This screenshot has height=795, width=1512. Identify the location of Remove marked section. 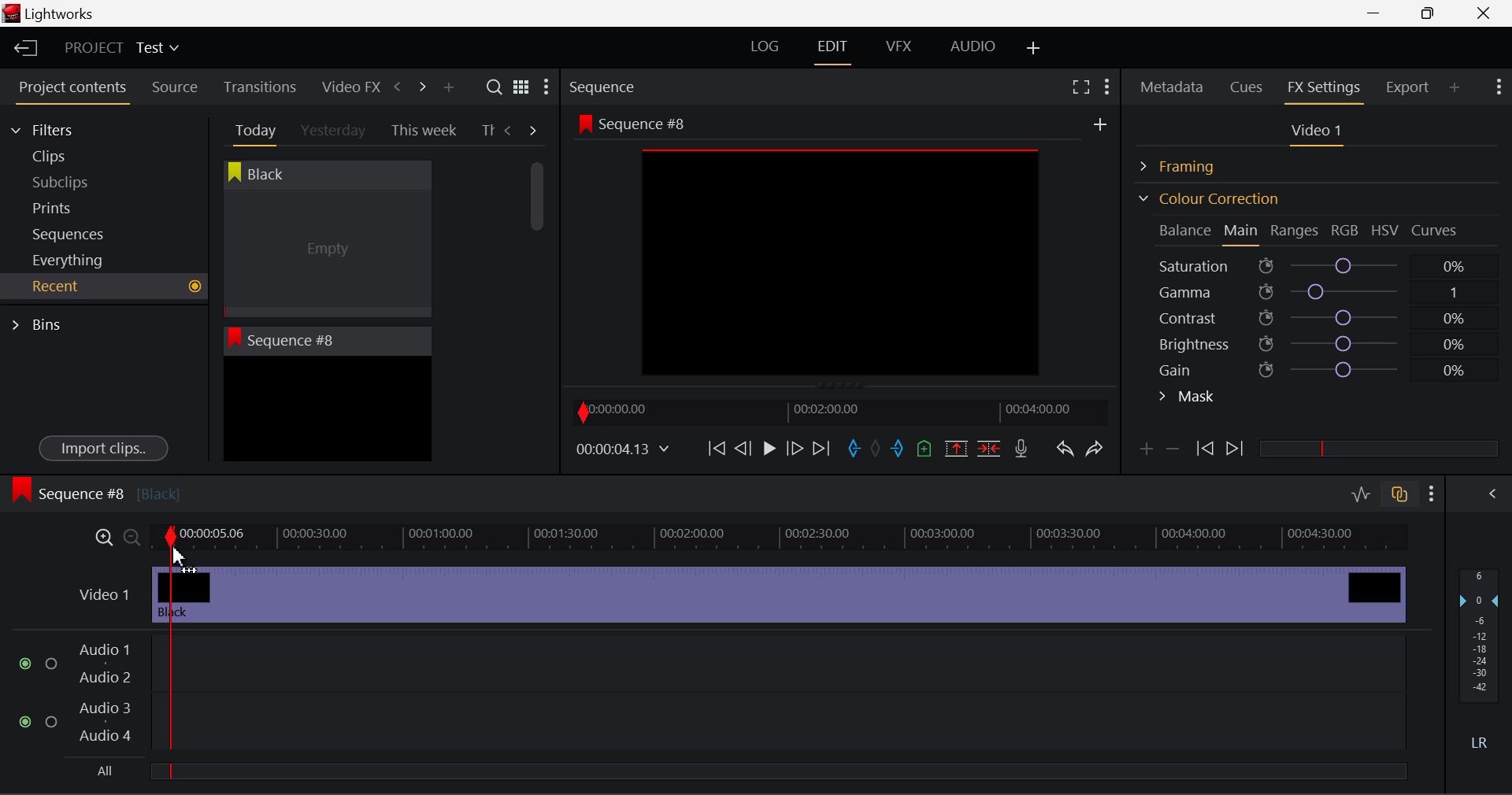
(955, 447).